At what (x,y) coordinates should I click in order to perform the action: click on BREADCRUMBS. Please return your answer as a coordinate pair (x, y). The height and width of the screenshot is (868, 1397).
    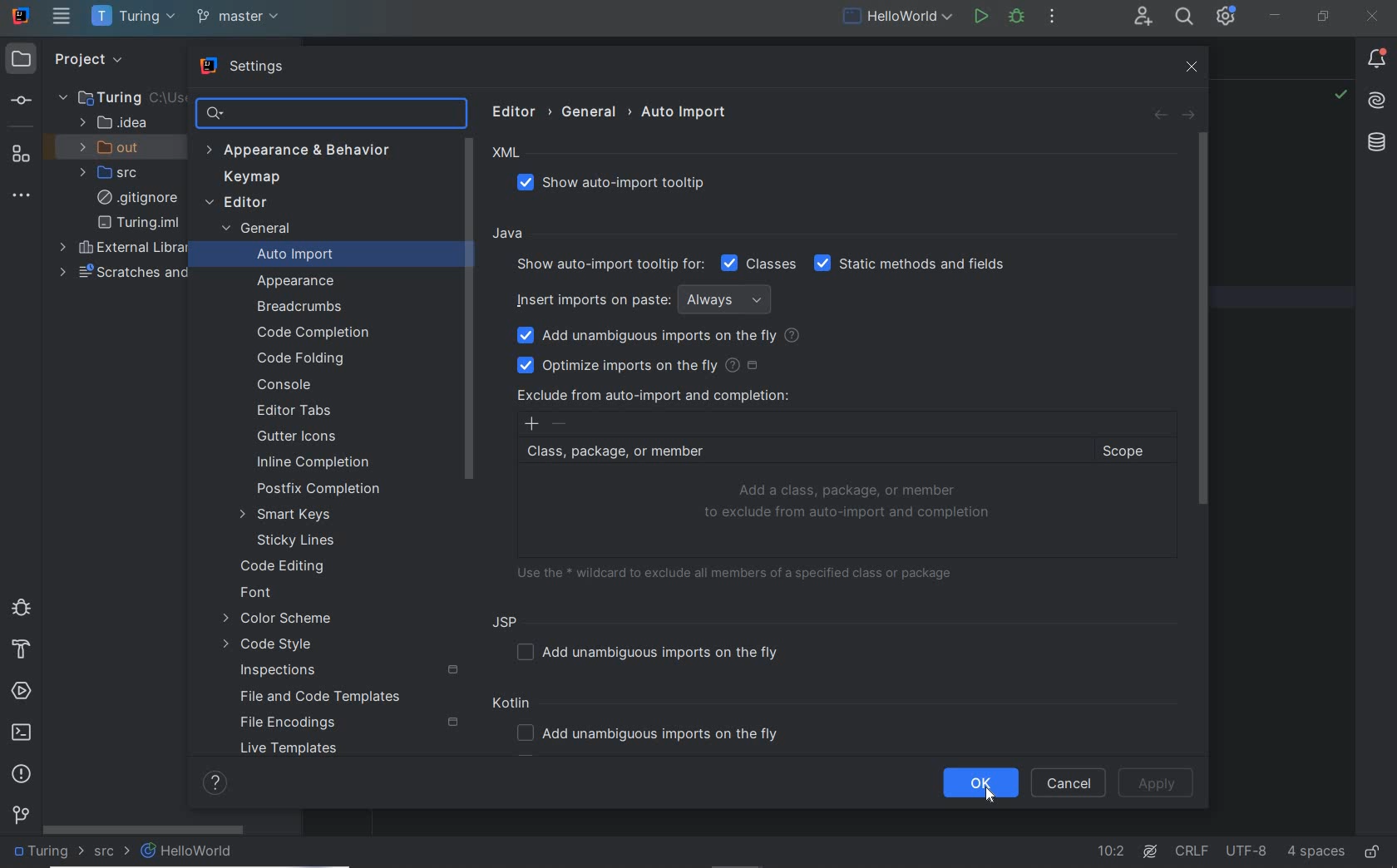
    Looking at the image, I should click on (303, 308).